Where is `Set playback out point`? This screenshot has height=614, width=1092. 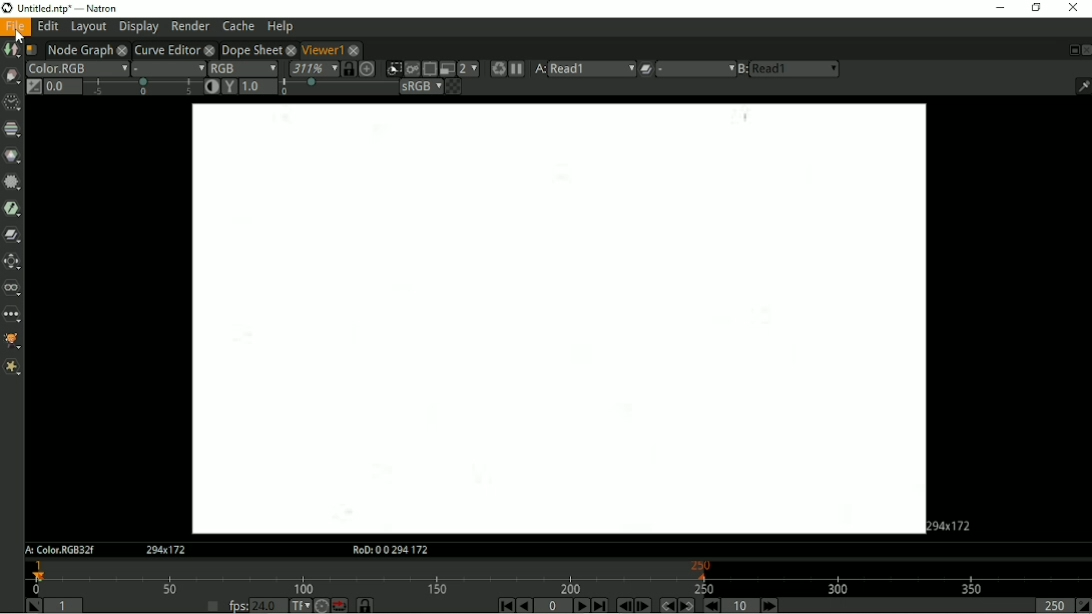 Set playback out point is located at coordinates (1083, 605).